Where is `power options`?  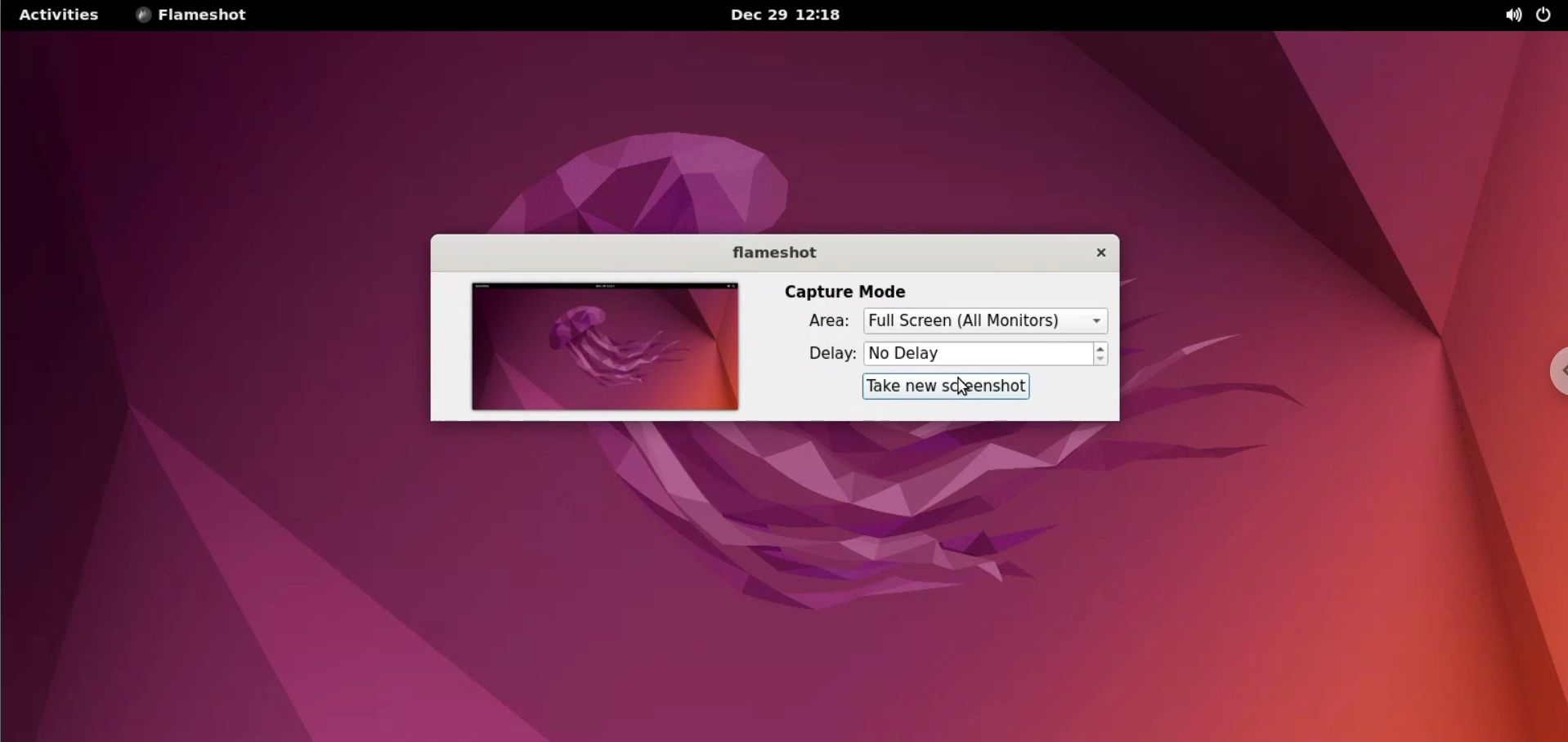
power options is located at coordinates (1551, 16).